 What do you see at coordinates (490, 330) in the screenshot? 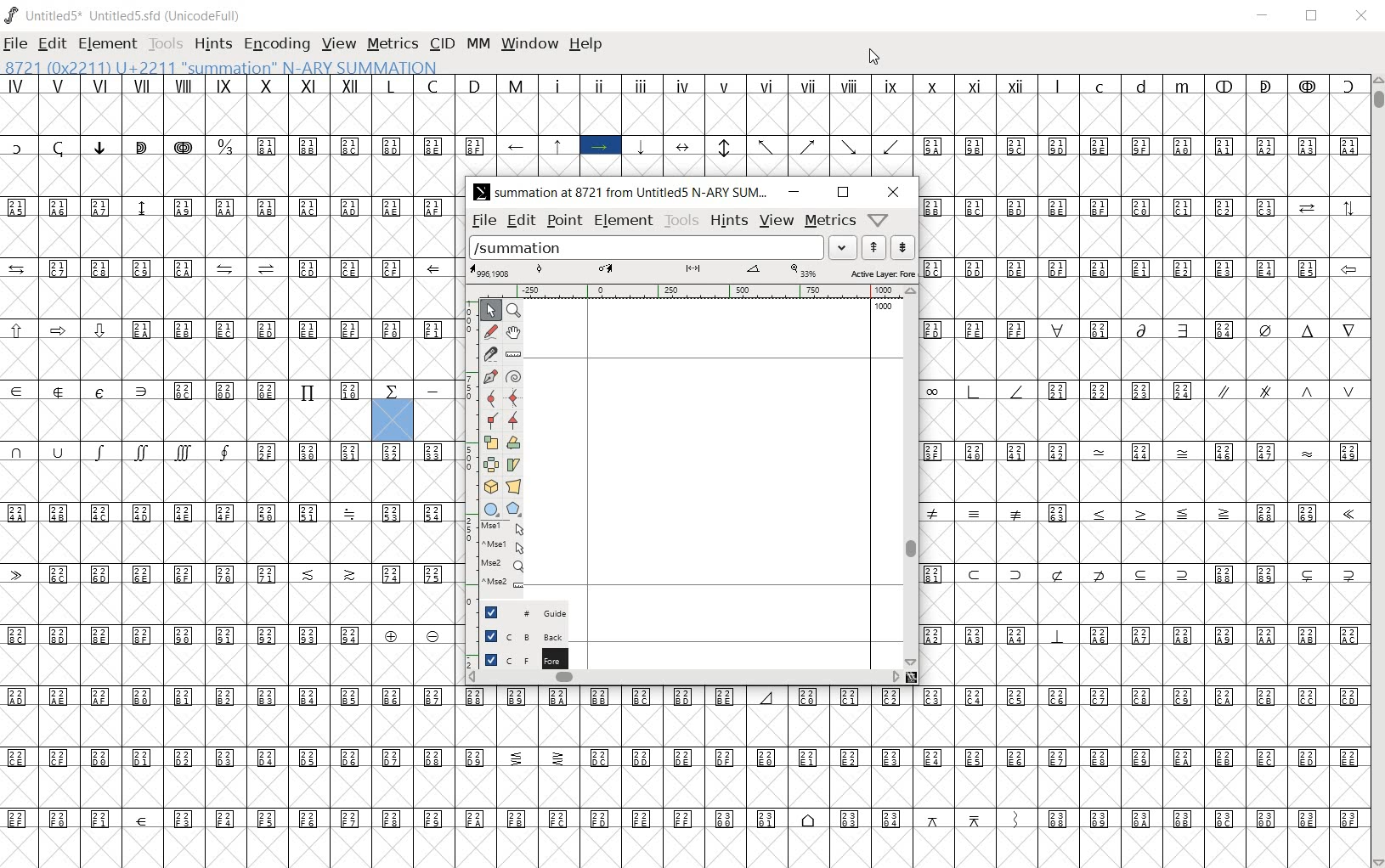
I see `draw a freehand curve` at bounding box center [490, 330].